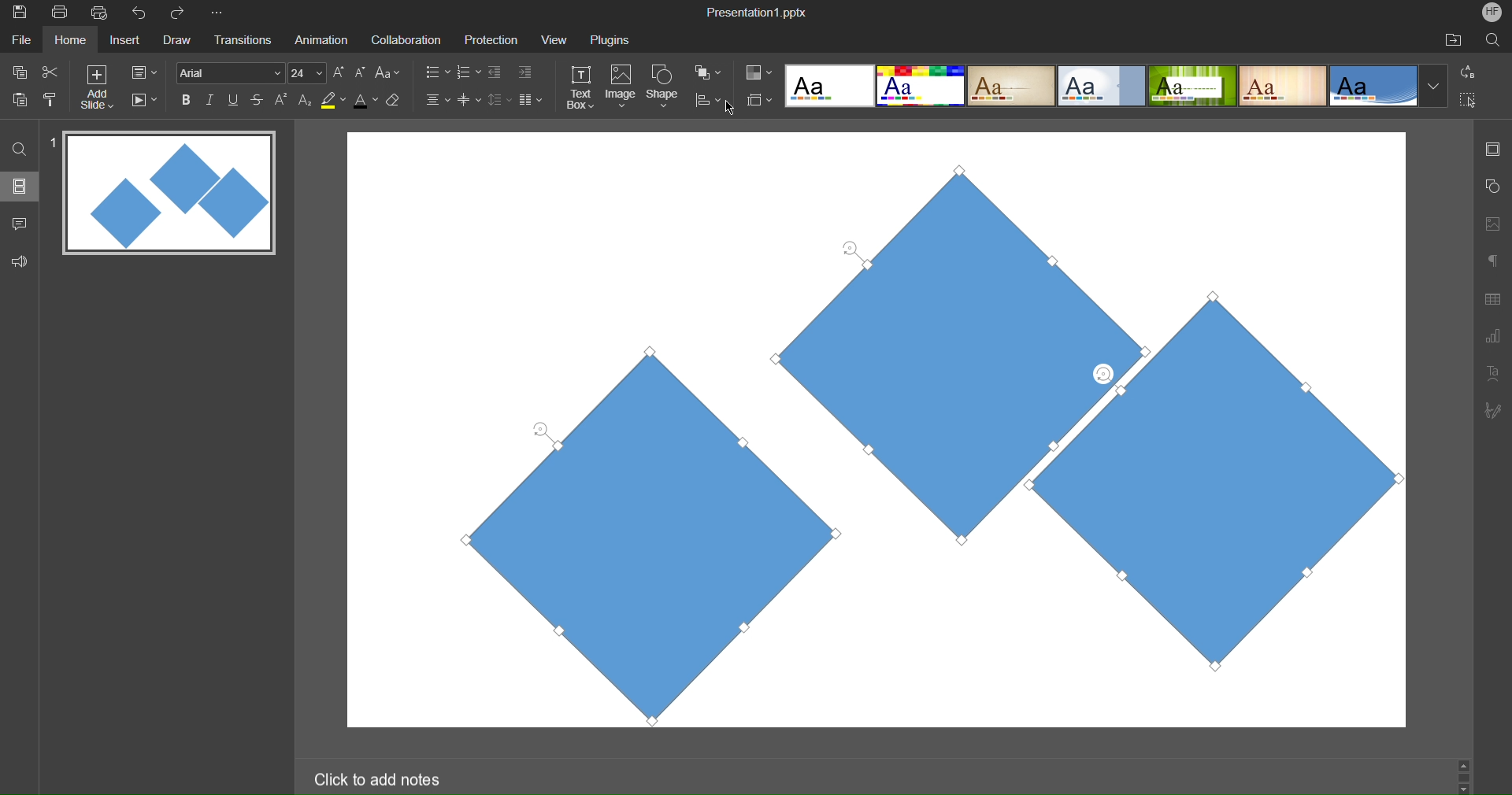  Describe the element at coordinates (708, 101) in the screenshot. I see `Align` at that location.